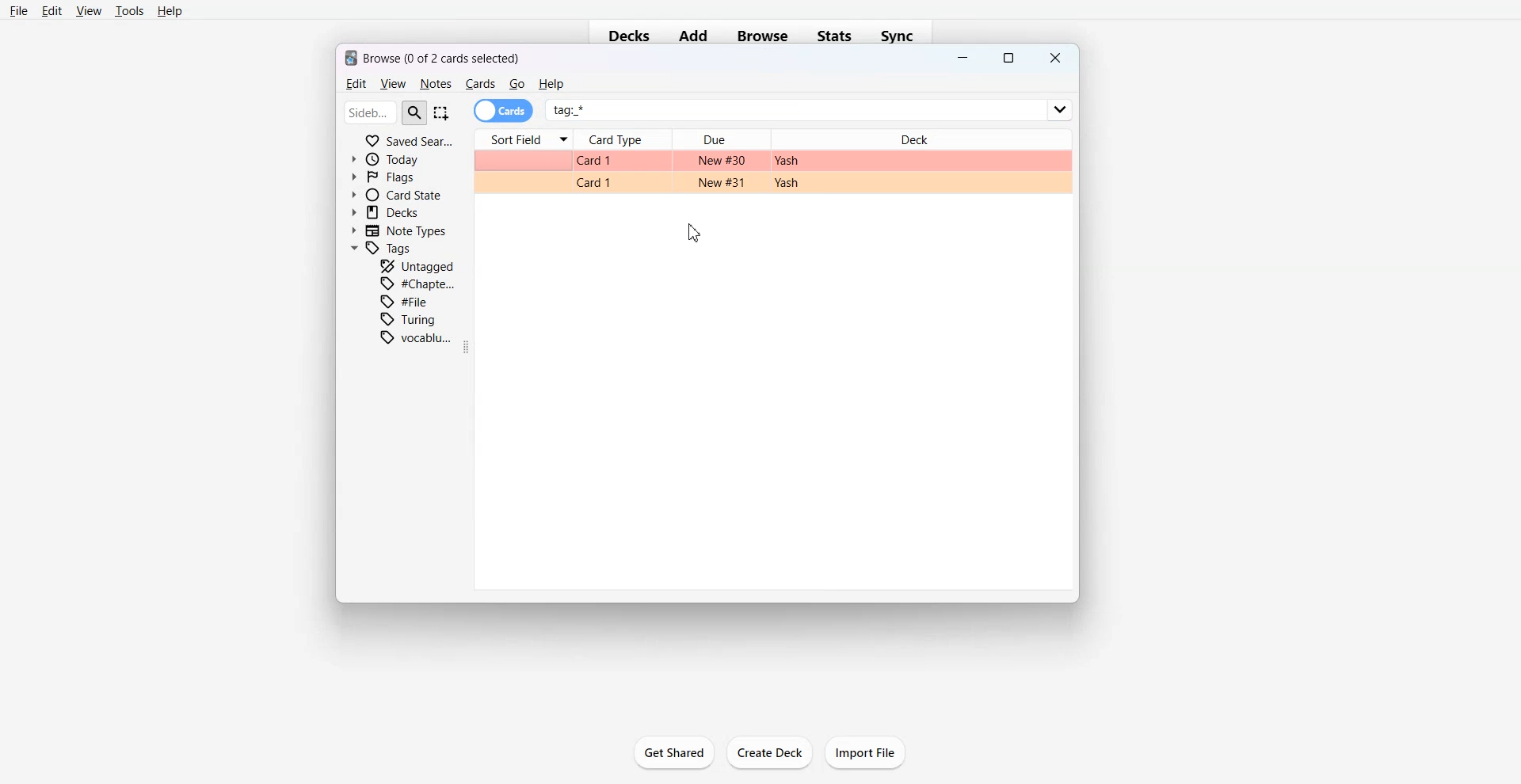  What do you see at coordinates (419, 283) in the screenshot?
I see `Chapter` at bounding box center [419, 283].